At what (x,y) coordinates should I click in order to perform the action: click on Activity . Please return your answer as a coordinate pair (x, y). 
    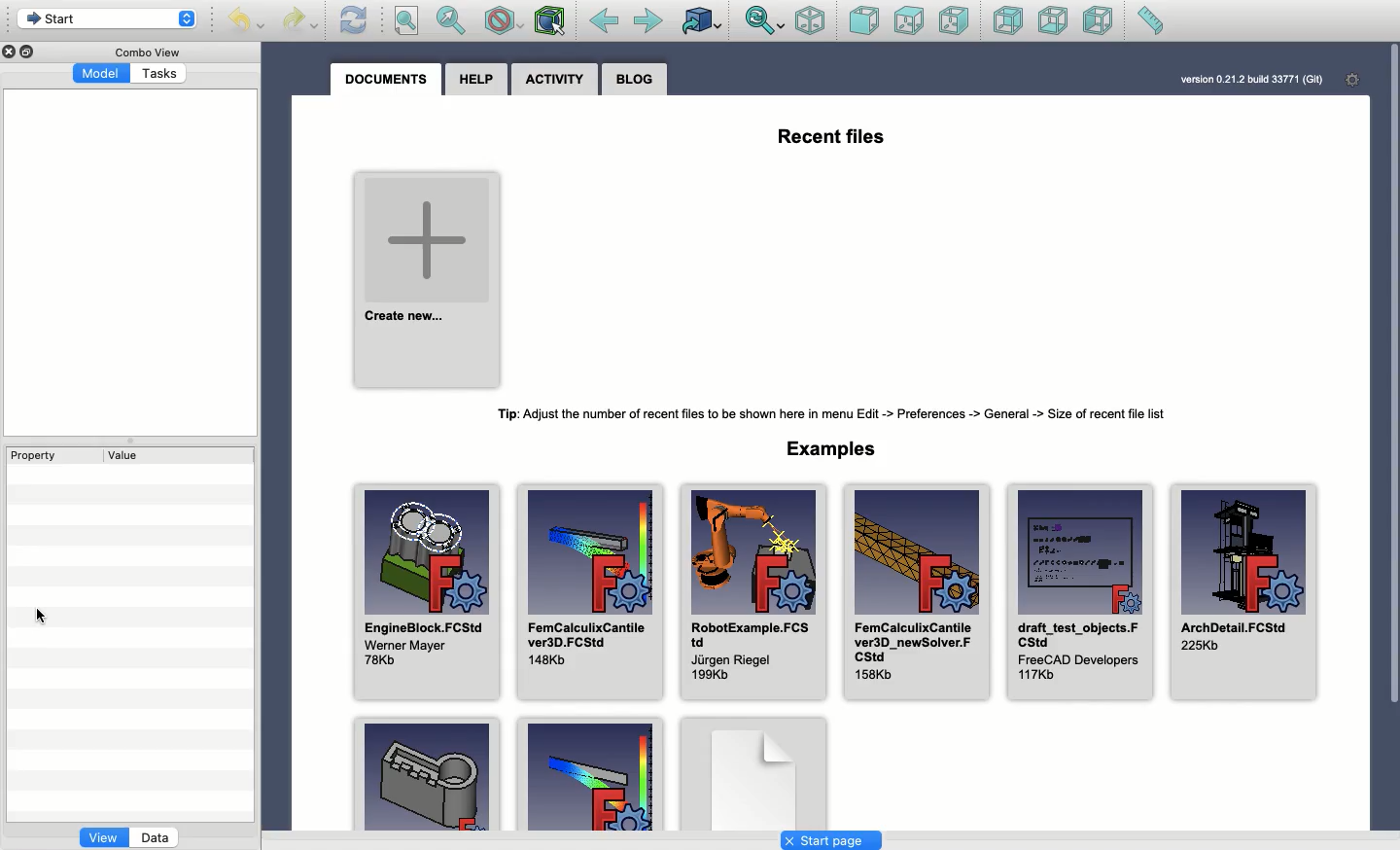
    Looking at the image, I should click on (553, 81).